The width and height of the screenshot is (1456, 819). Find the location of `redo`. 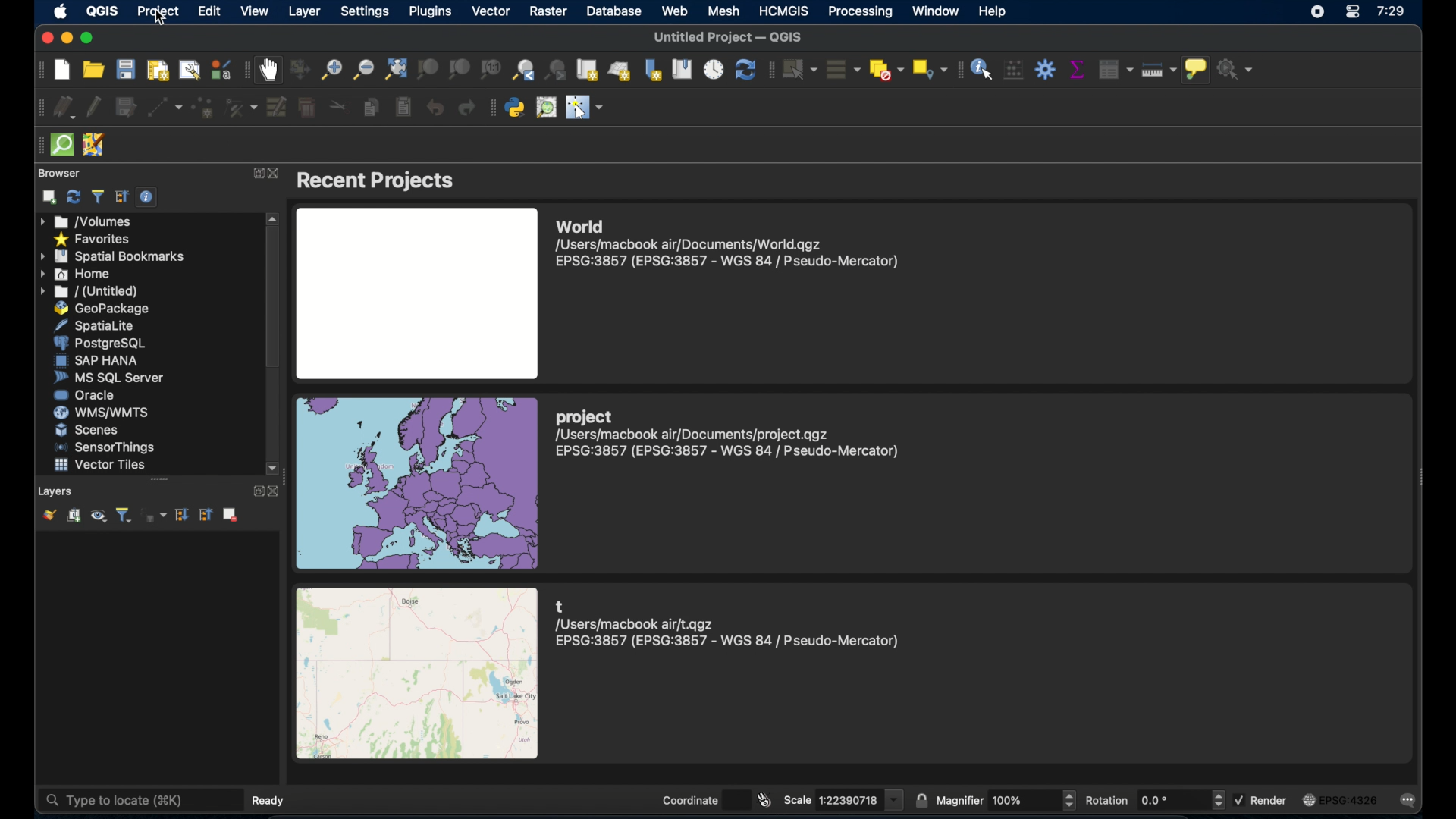

redo is located at coordinates (466, 108).